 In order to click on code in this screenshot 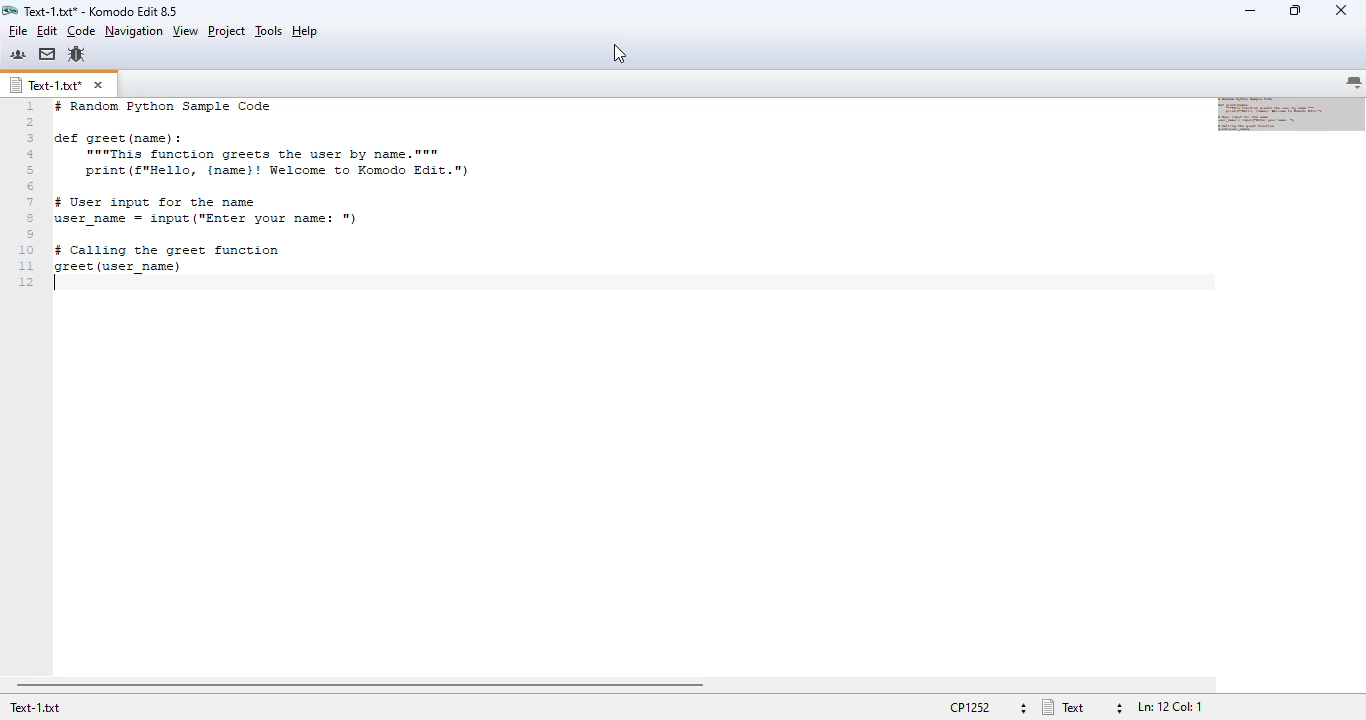, I will do `click(82, 31)`.